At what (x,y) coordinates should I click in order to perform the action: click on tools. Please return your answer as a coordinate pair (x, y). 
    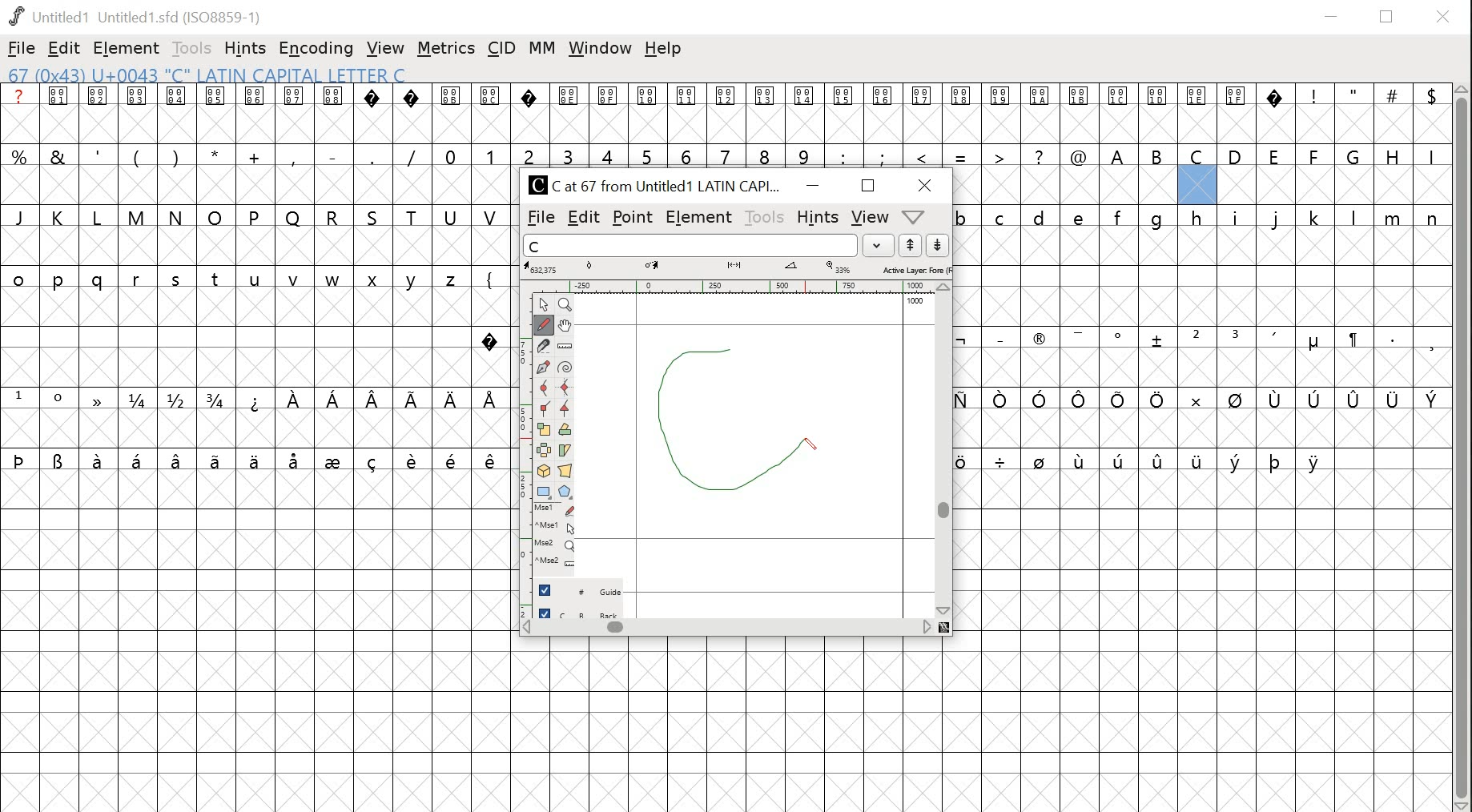
    Looking at the image, I should click on (191, 50).